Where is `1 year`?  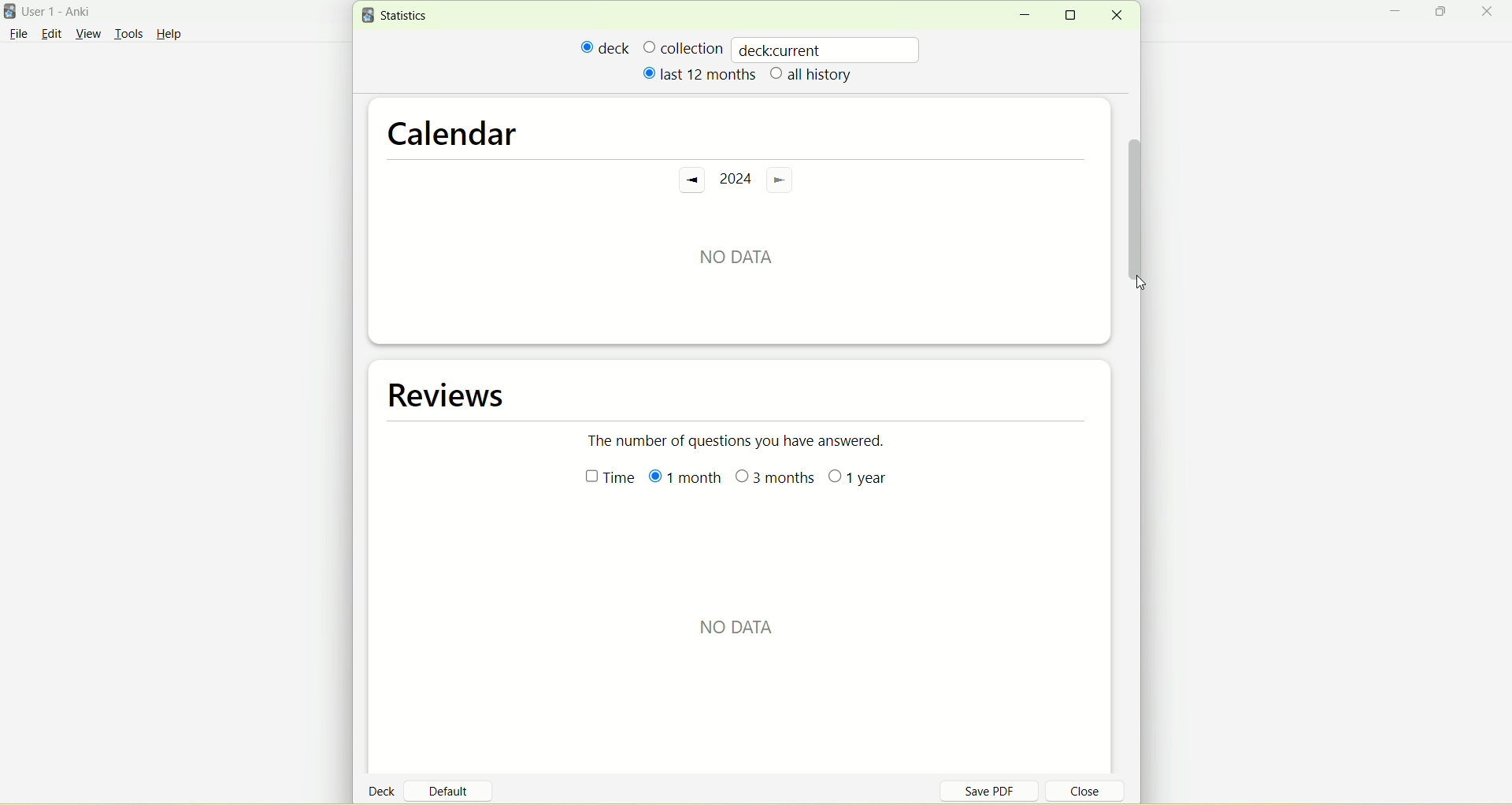
1 year is located at coordinates (859, 482).